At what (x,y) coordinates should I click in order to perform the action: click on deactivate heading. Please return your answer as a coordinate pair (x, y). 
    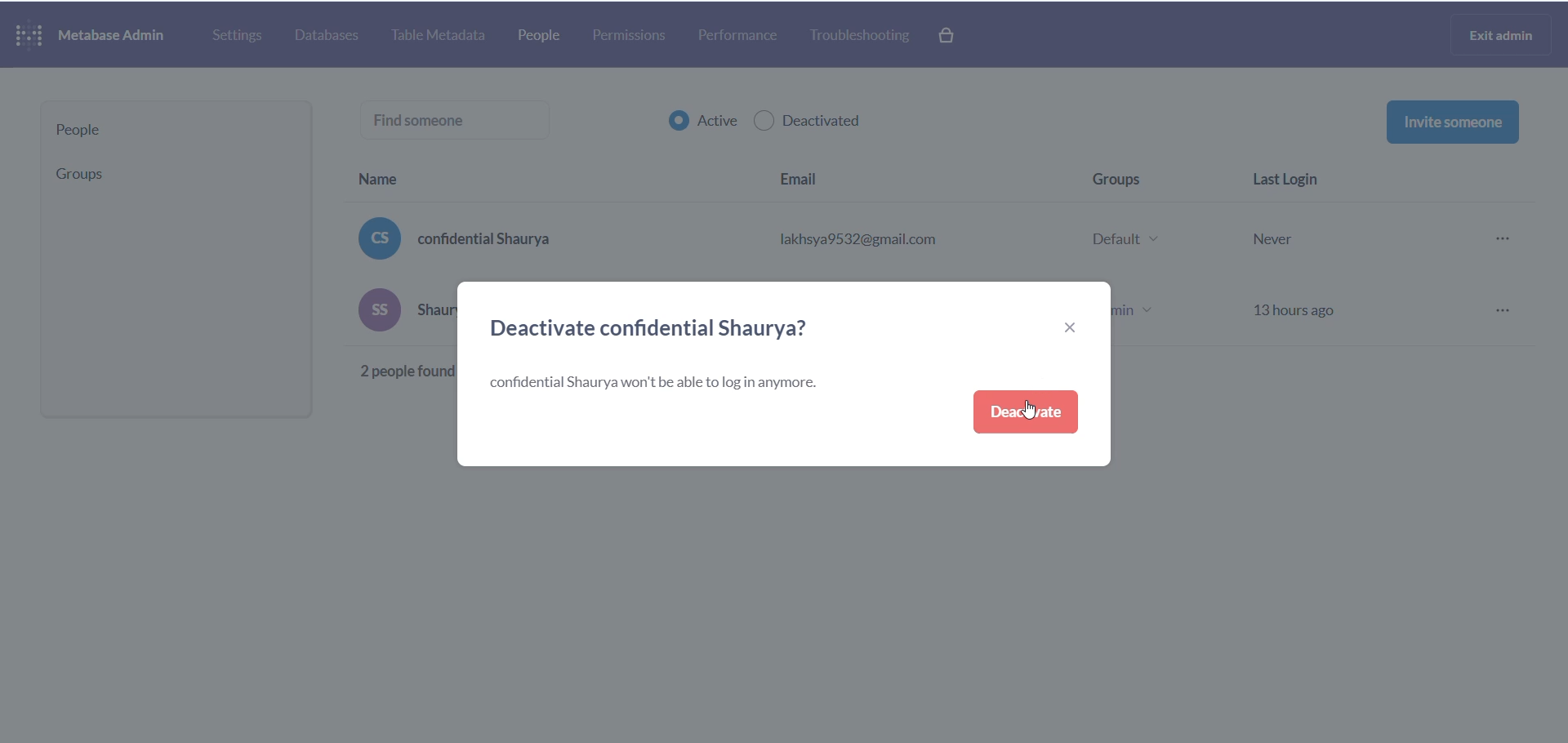
    Looking at the image, I should click on (655, 326).